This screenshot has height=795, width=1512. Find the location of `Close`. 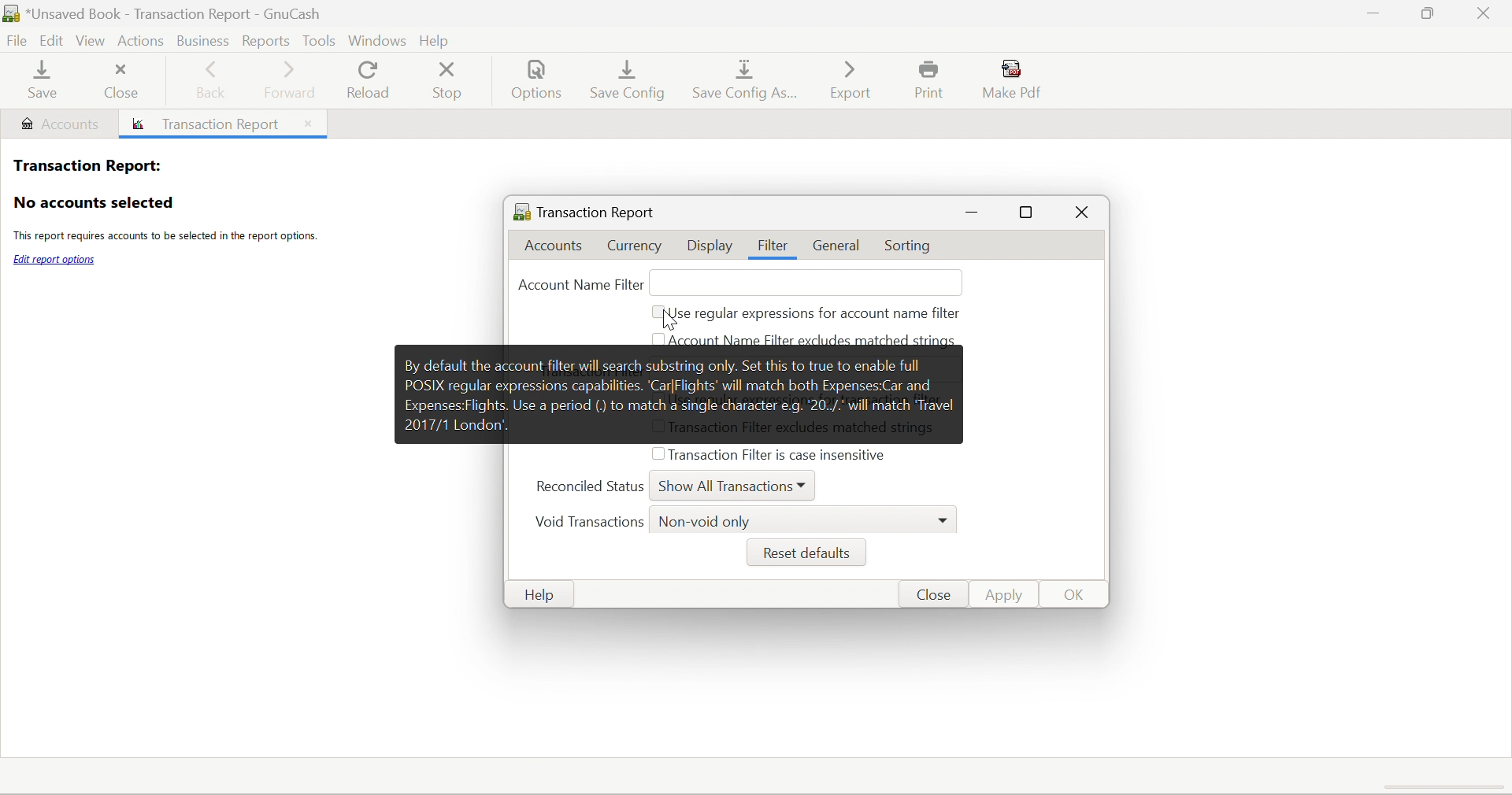

Close is located at coordinates (1486, 13).